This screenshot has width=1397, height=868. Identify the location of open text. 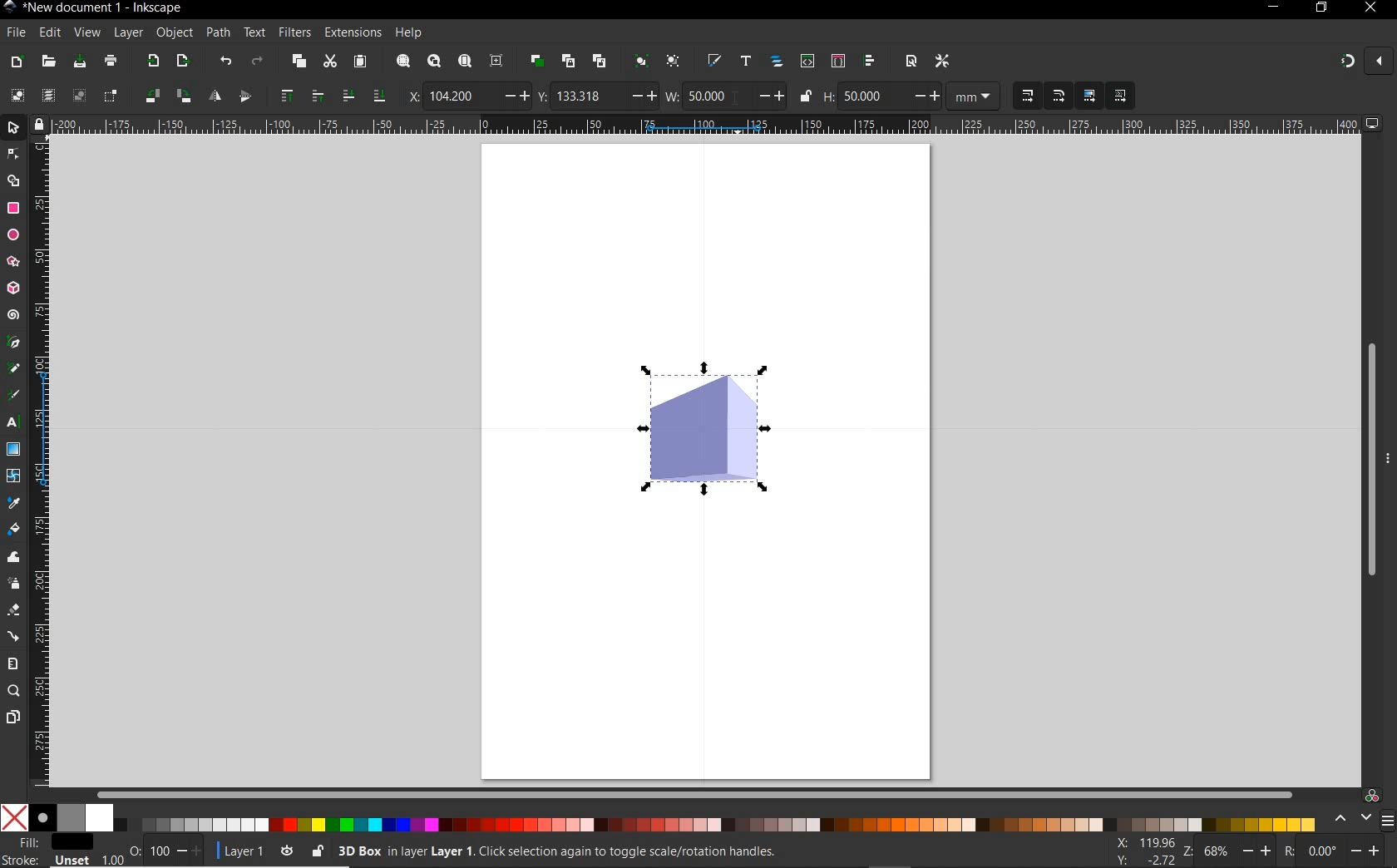
(745, 62).